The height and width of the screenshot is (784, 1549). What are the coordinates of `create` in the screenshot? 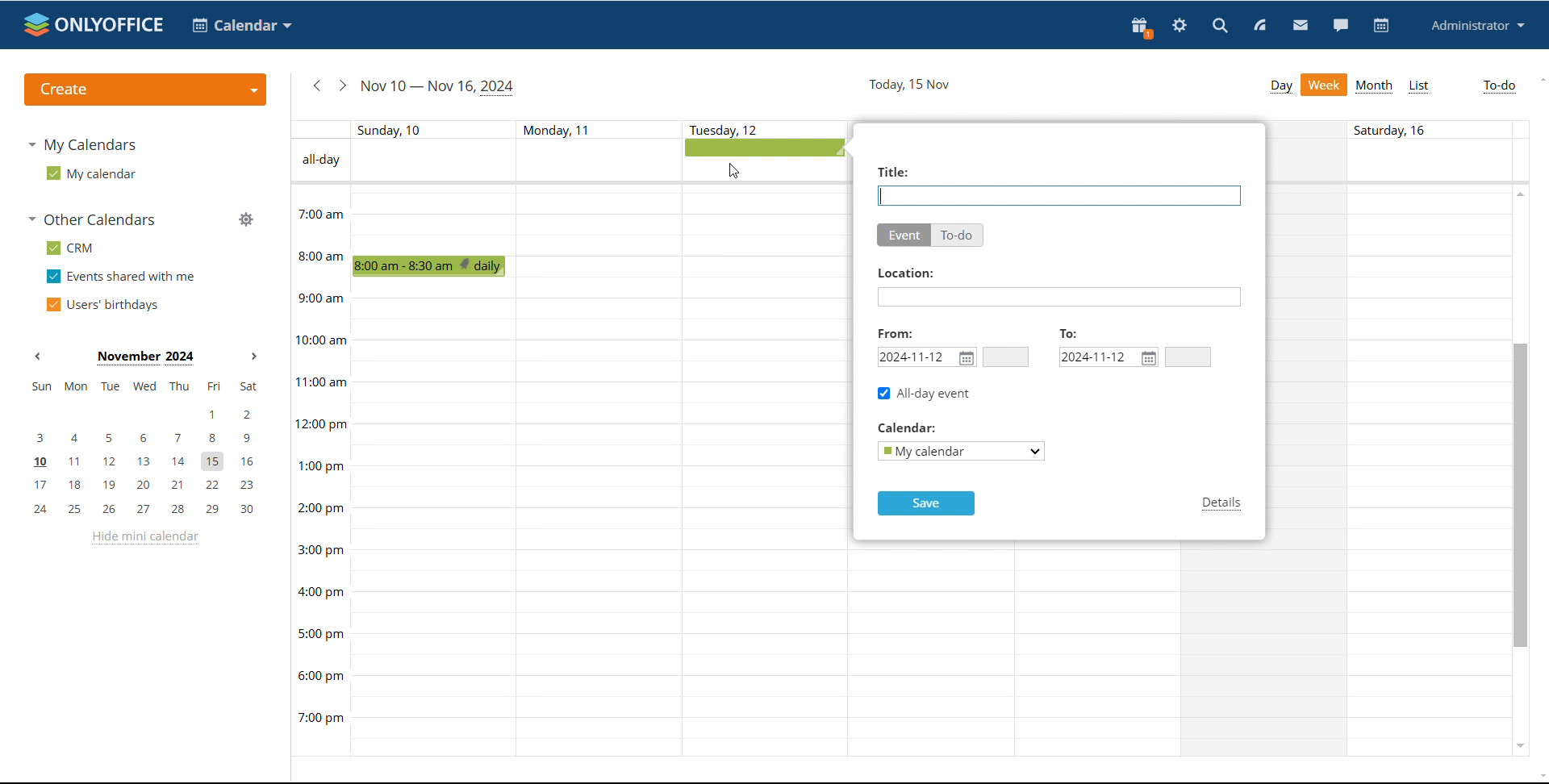 It's located at (142, 87).